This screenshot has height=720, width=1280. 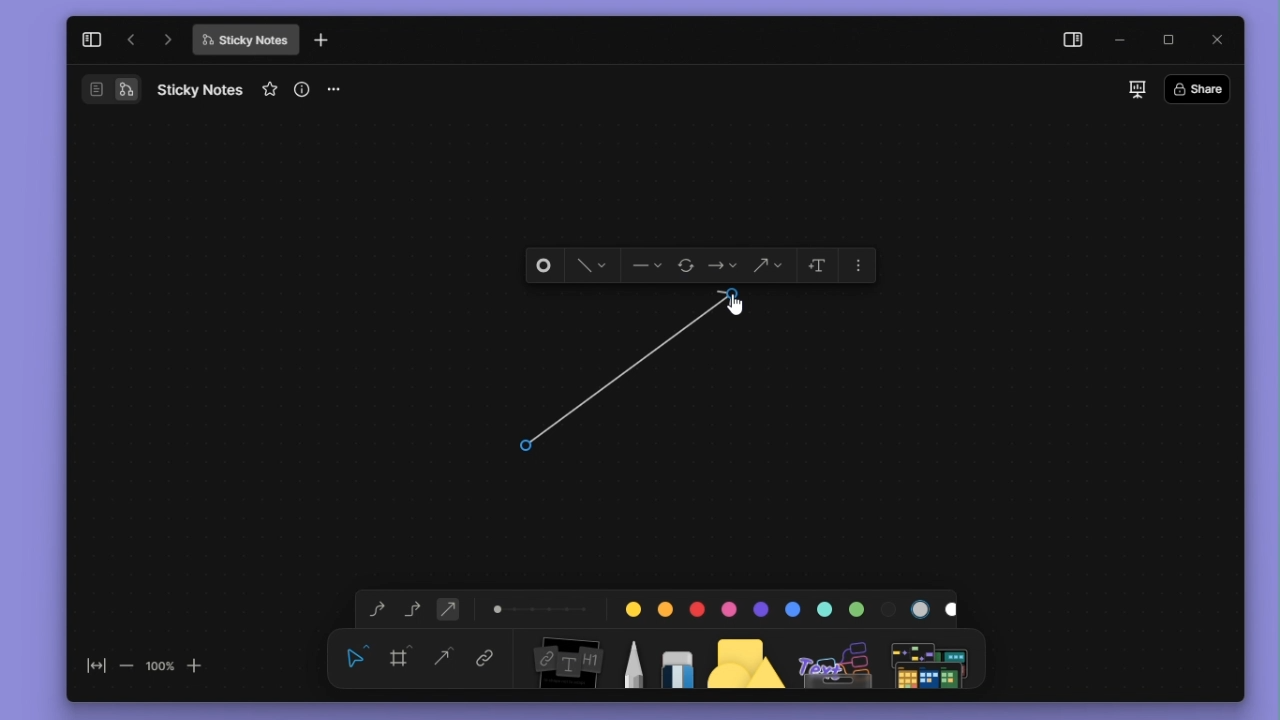 I want to click on thickness, so click(x=541, y=607).